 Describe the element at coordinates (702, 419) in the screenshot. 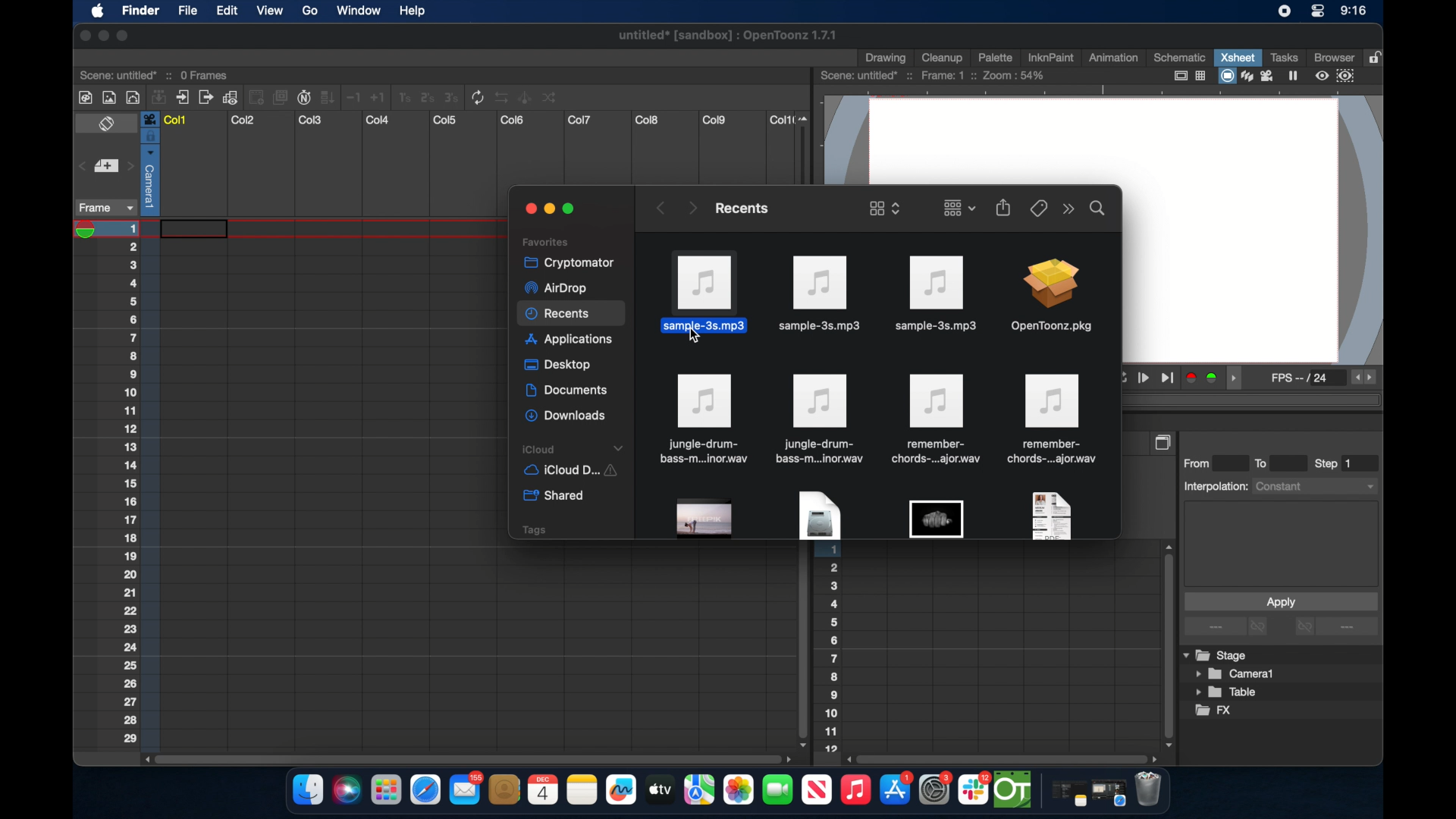

I see `file` at that location.